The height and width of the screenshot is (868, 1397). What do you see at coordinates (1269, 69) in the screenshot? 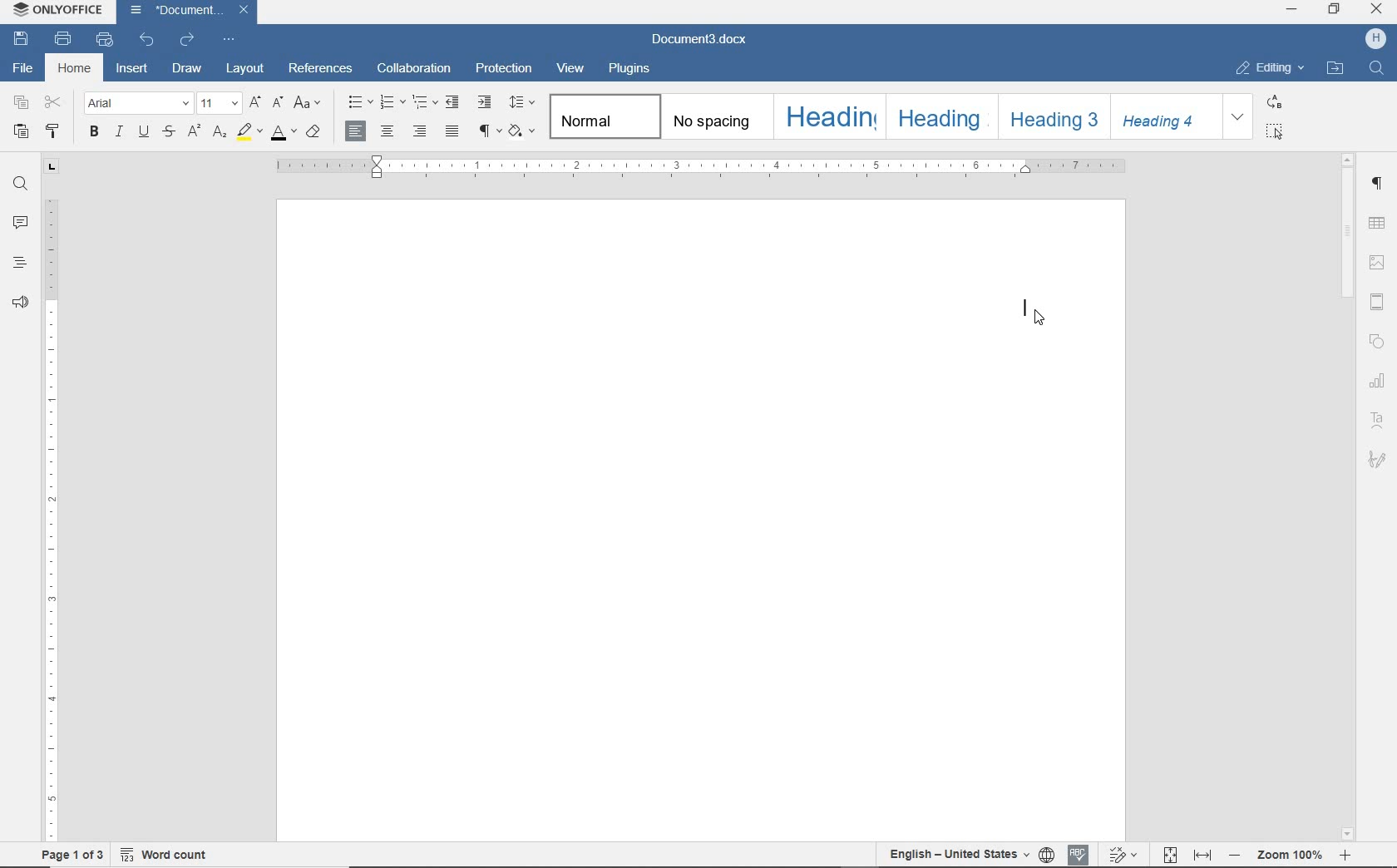
I see `EDITING` at bounding box center [1269, 69].